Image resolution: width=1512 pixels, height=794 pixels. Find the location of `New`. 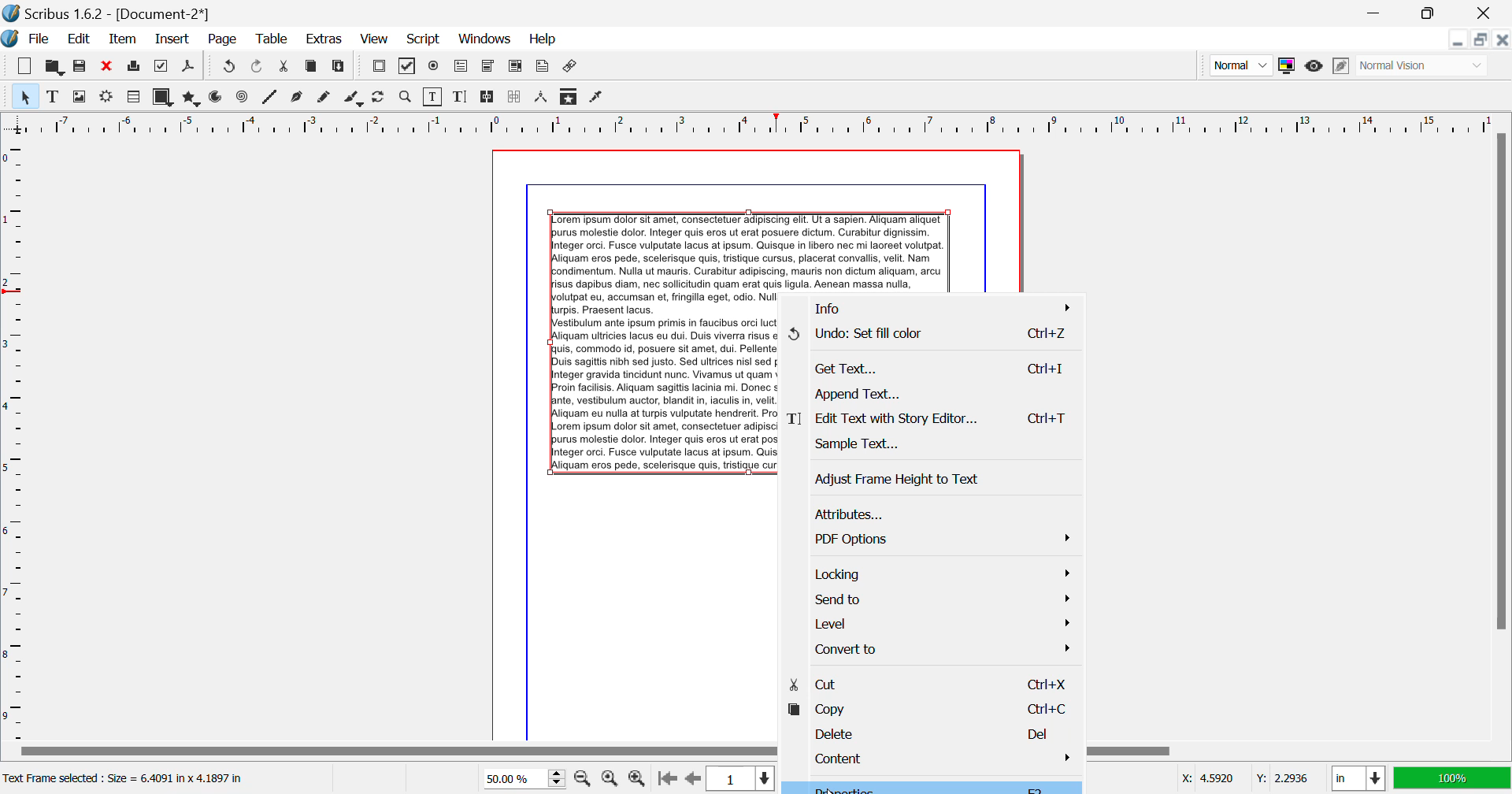

New is located at coordinates (25, 66).